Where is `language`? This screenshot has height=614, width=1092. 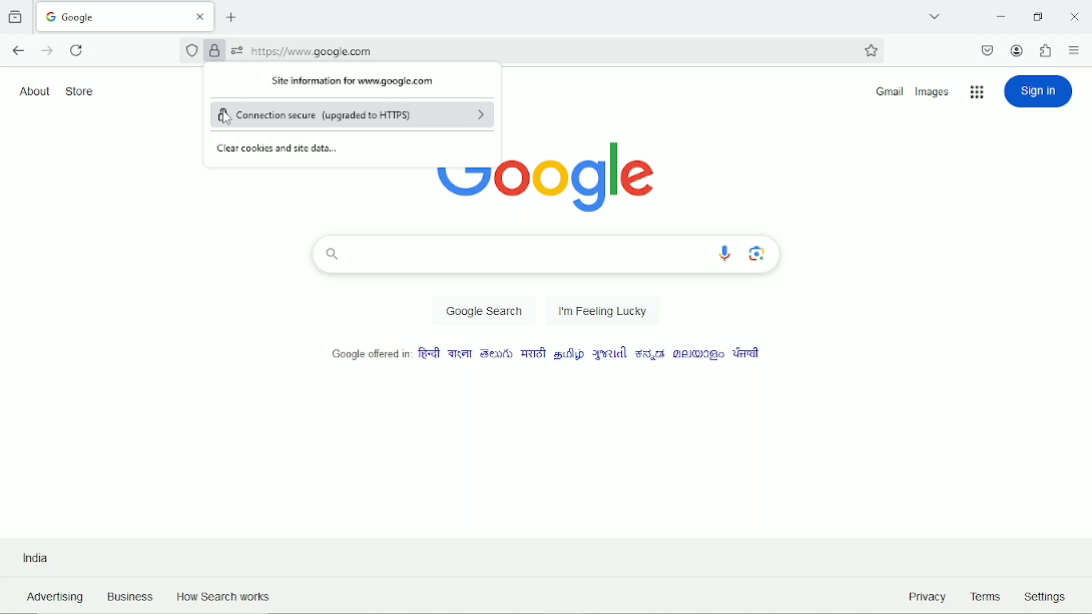 language is located at coordinates (531, 353).